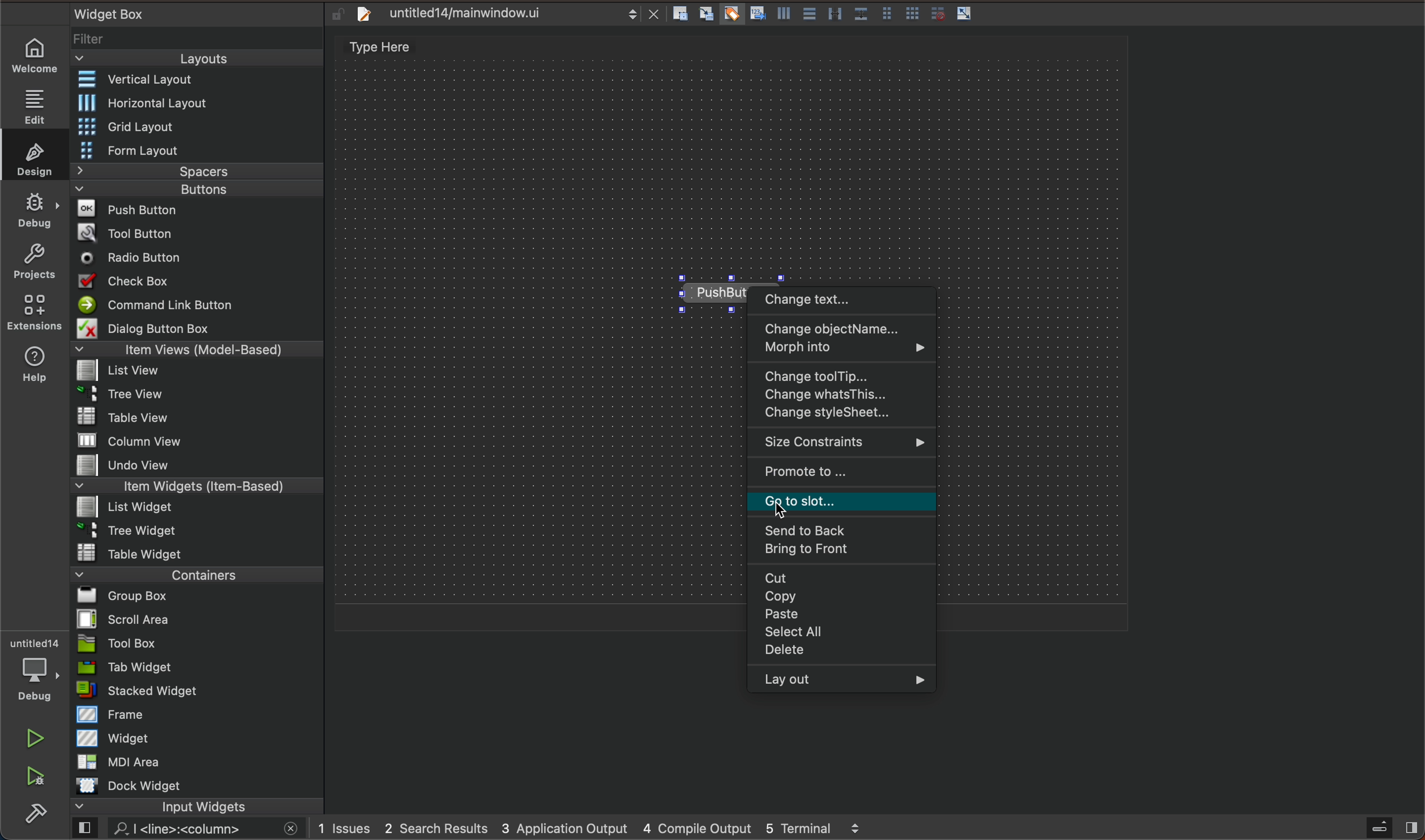 The height and width of the screenshot is (840, 1425). Describe the element at coordinates (188, 829) in the screenshot. I see `search` at that location.